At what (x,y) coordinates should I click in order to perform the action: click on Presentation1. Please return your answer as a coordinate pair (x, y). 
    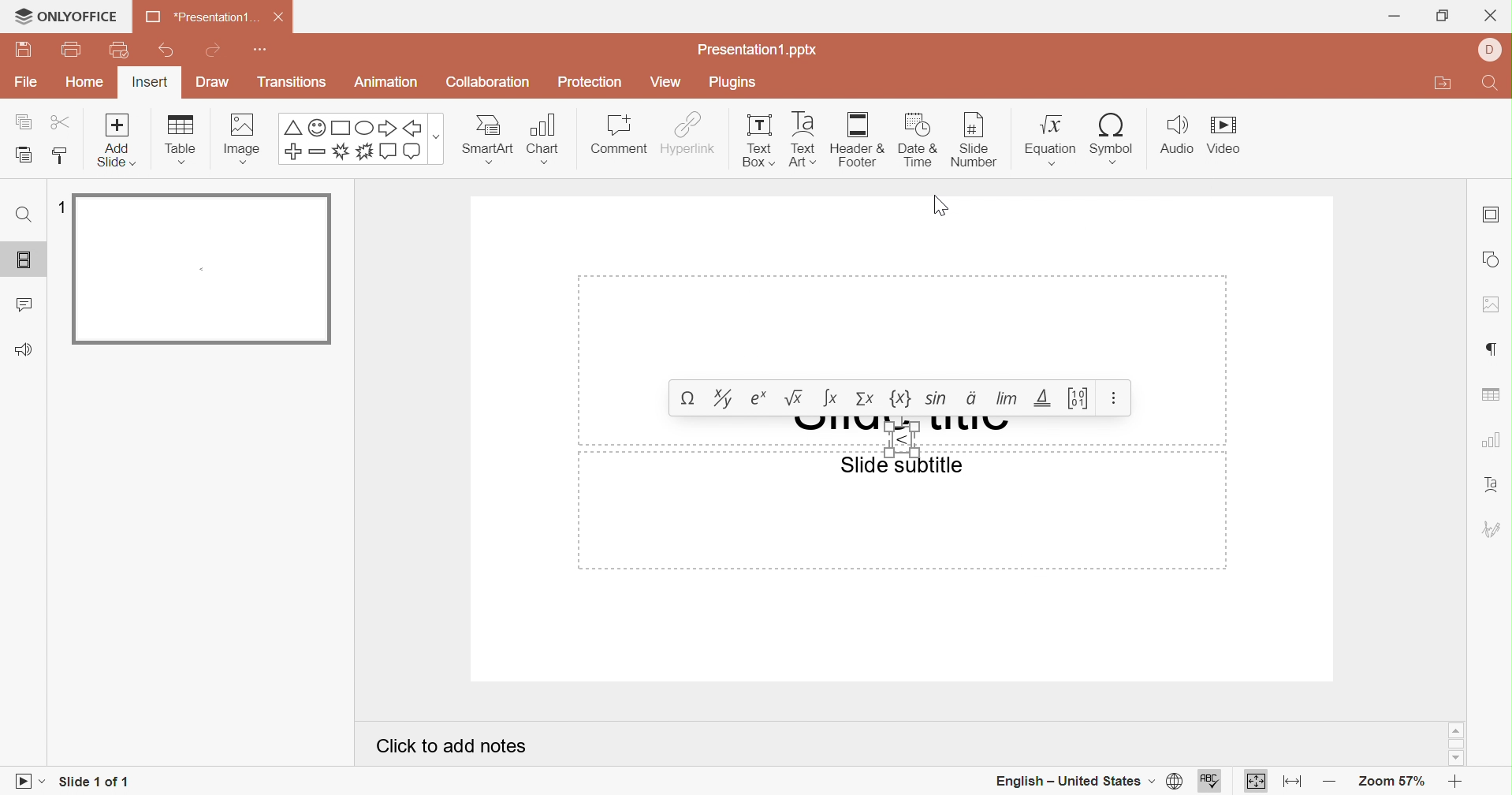
    Looking at the image, I should click on (196, 19).